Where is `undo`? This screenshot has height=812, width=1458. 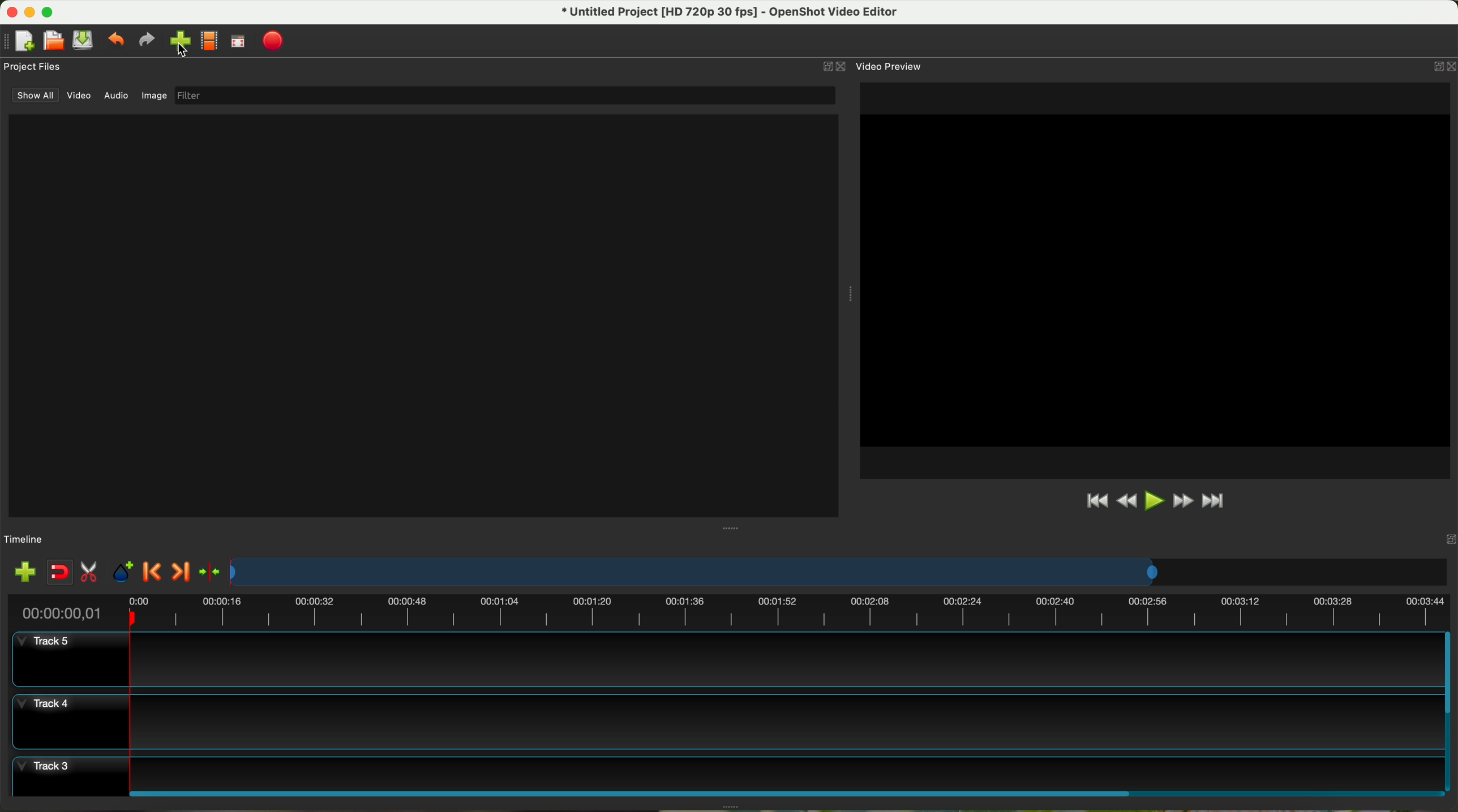
undo is located at coordinates (115, 38).